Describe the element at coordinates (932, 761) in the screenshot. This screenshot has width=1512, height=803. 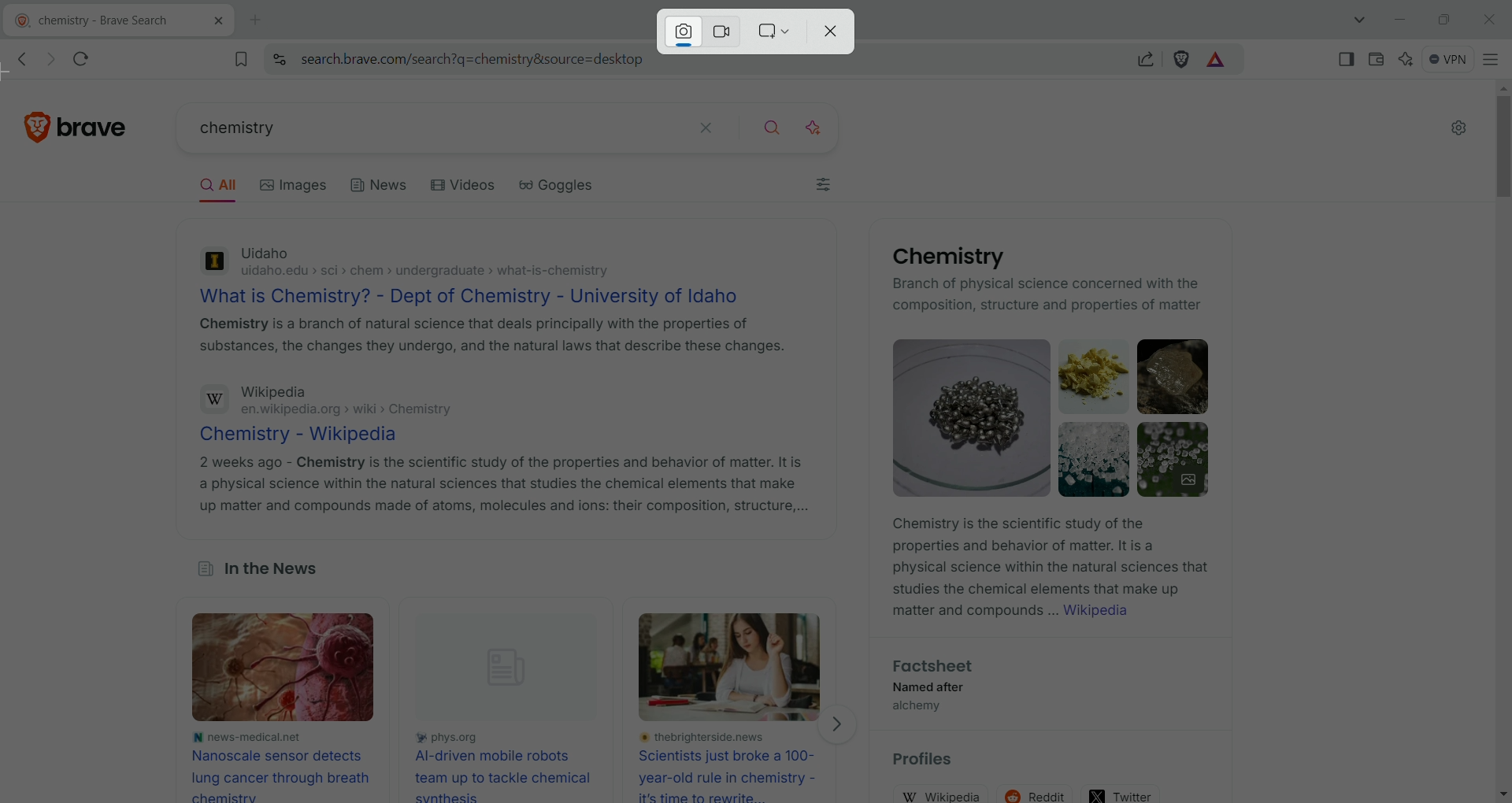
I see `Profiles` at that location.